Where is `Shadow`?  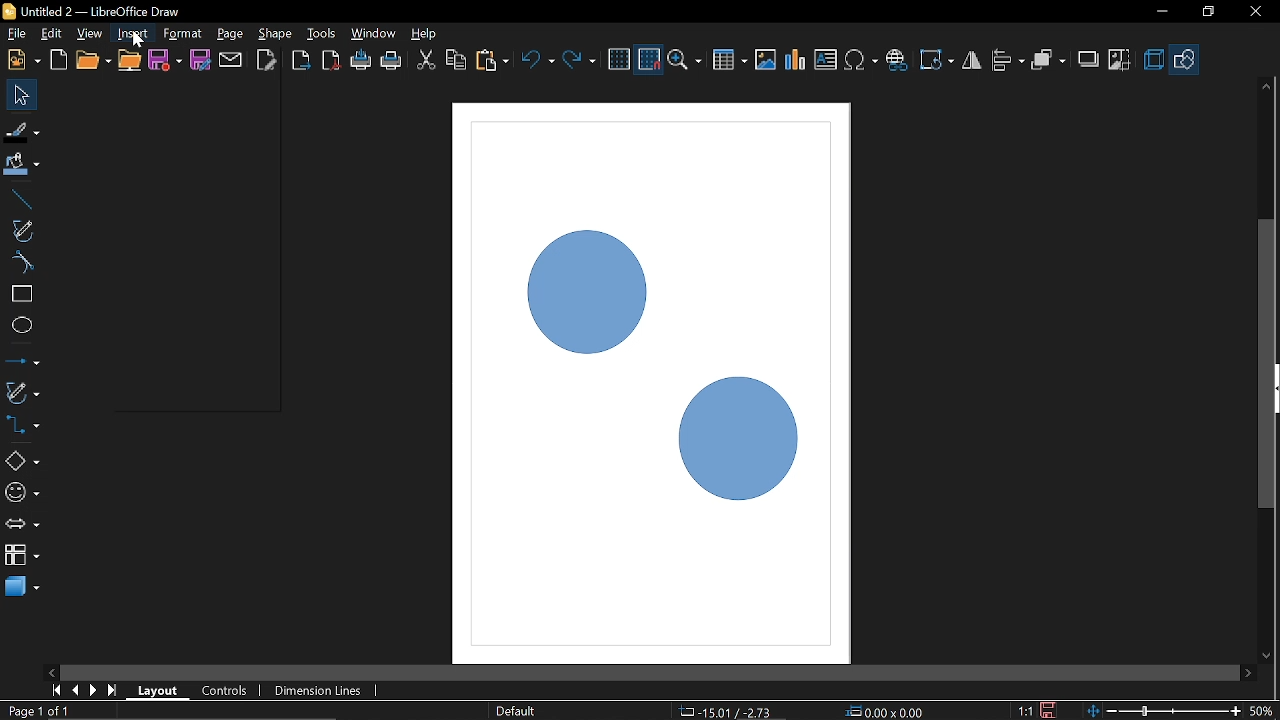 Shadow is located at coordinates (1089, 62).